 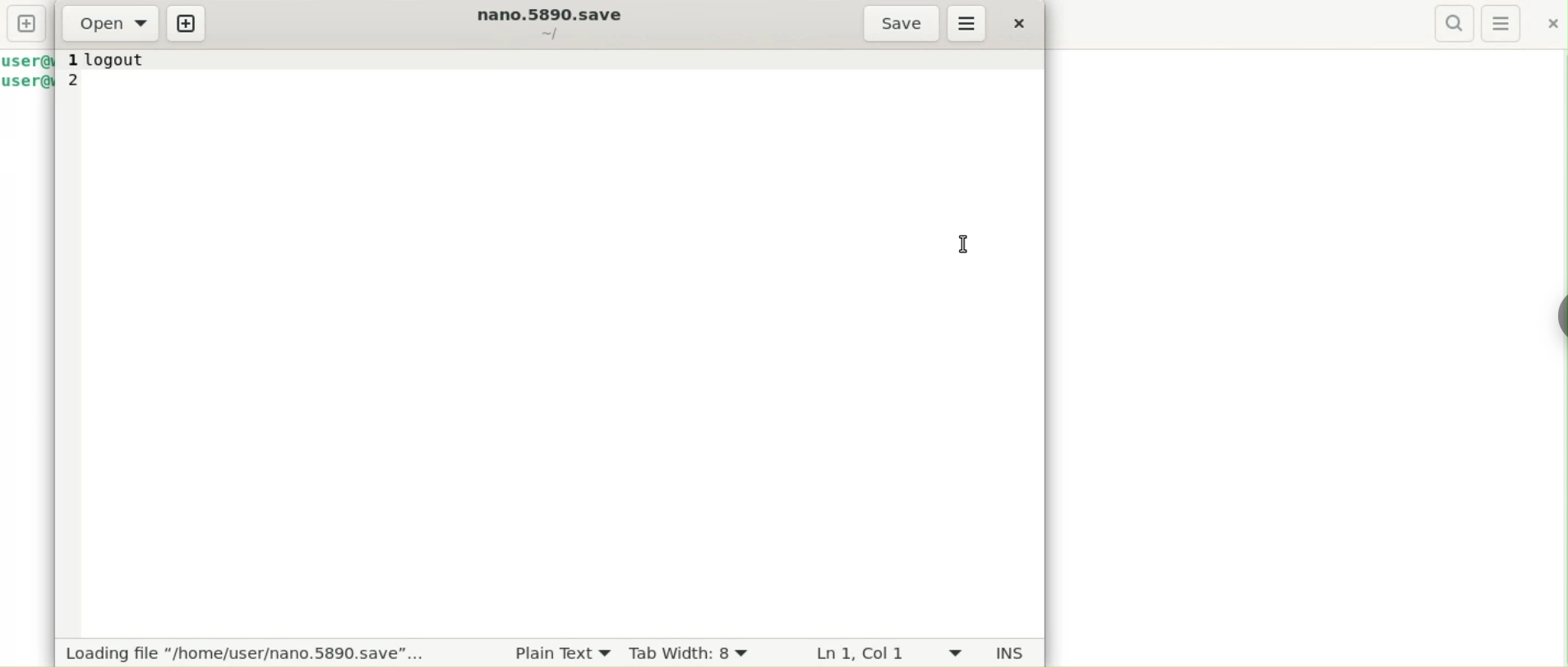 I want to click on Menu, so click(x=1501, y=22).